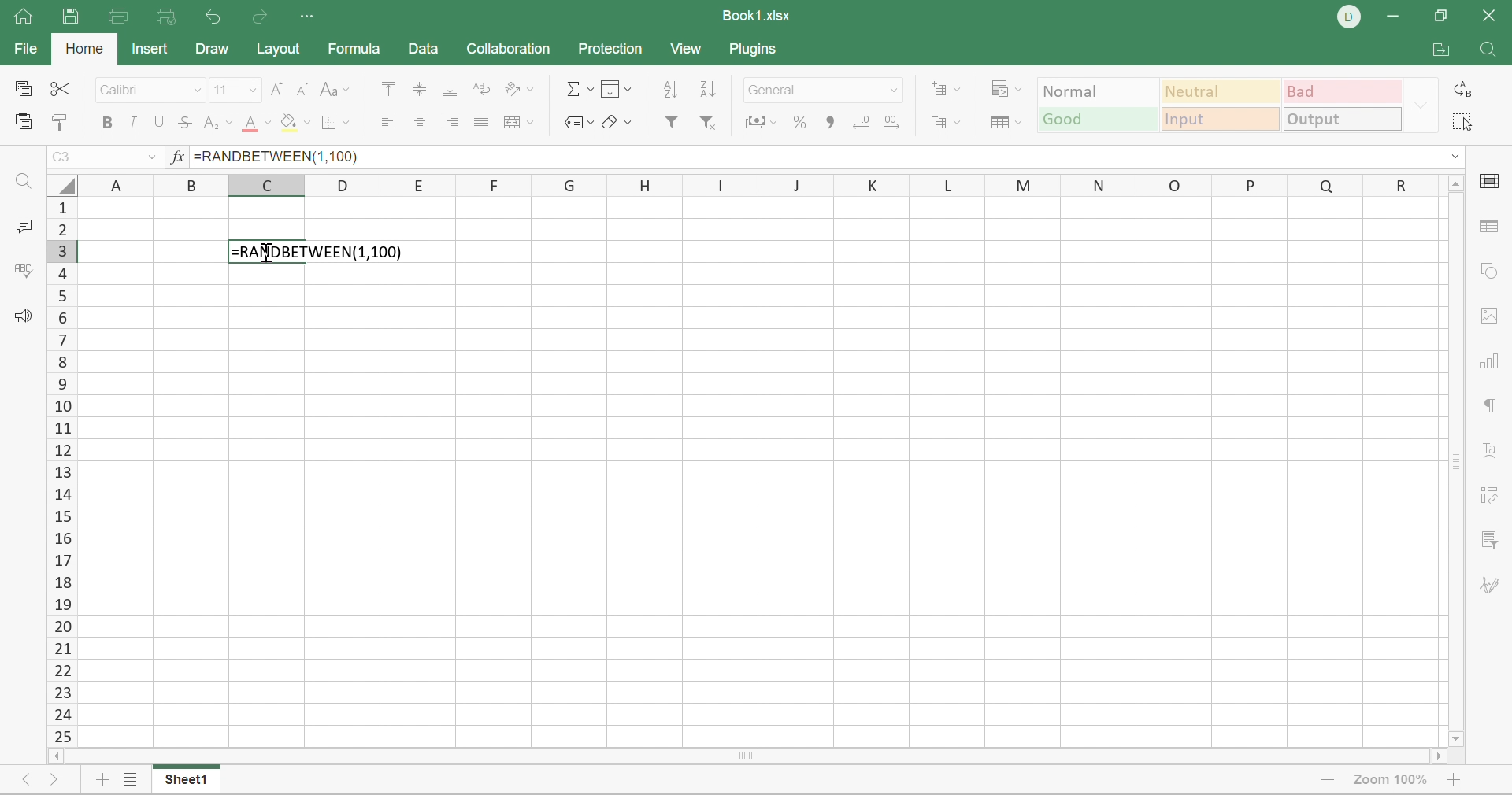  Describe the element at coordinates (454, 121) in the screenshot. I see `Align Right` at that location.